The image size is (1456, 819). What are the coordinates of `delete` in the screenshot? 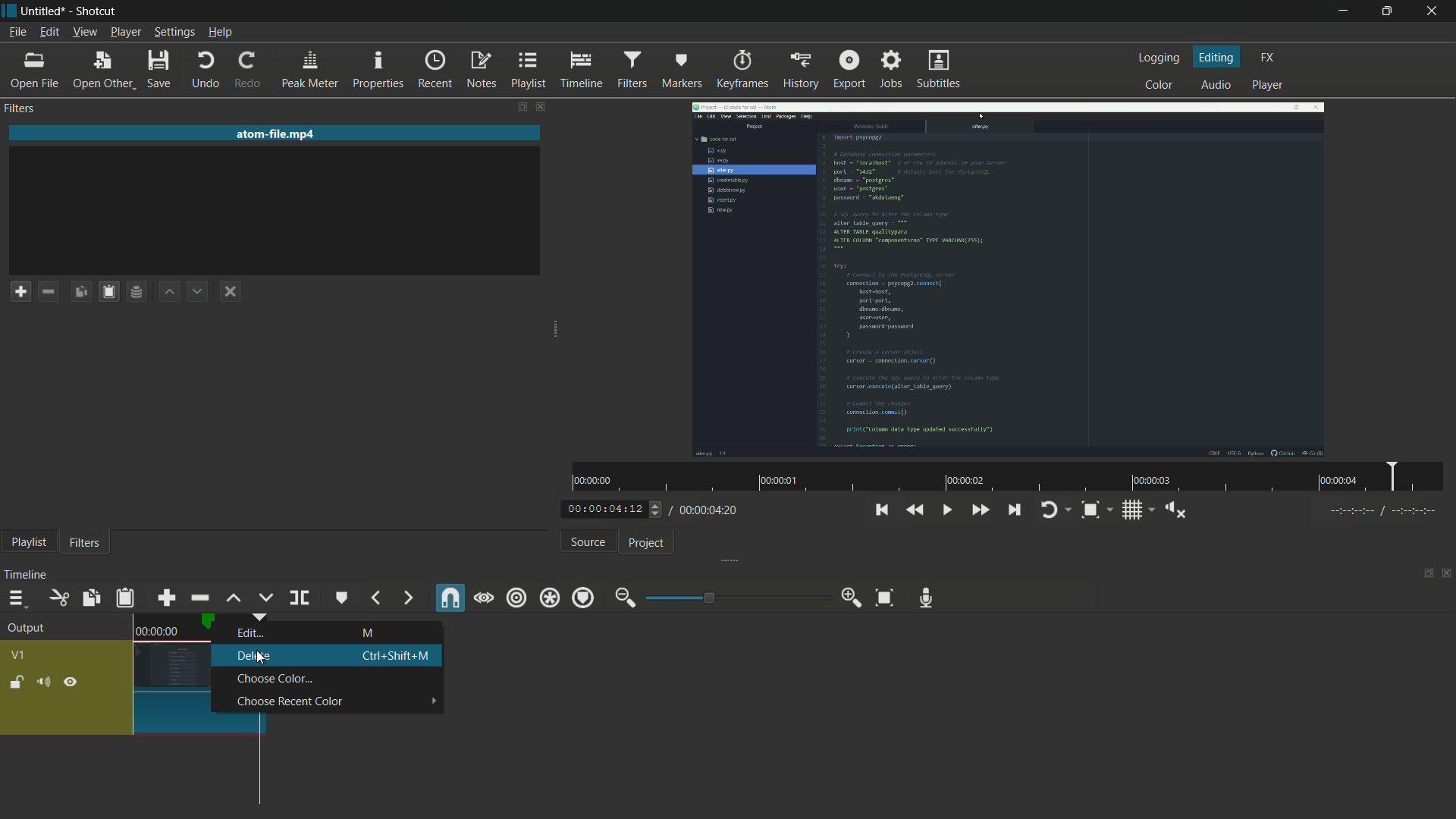 It's located at (256, 656).